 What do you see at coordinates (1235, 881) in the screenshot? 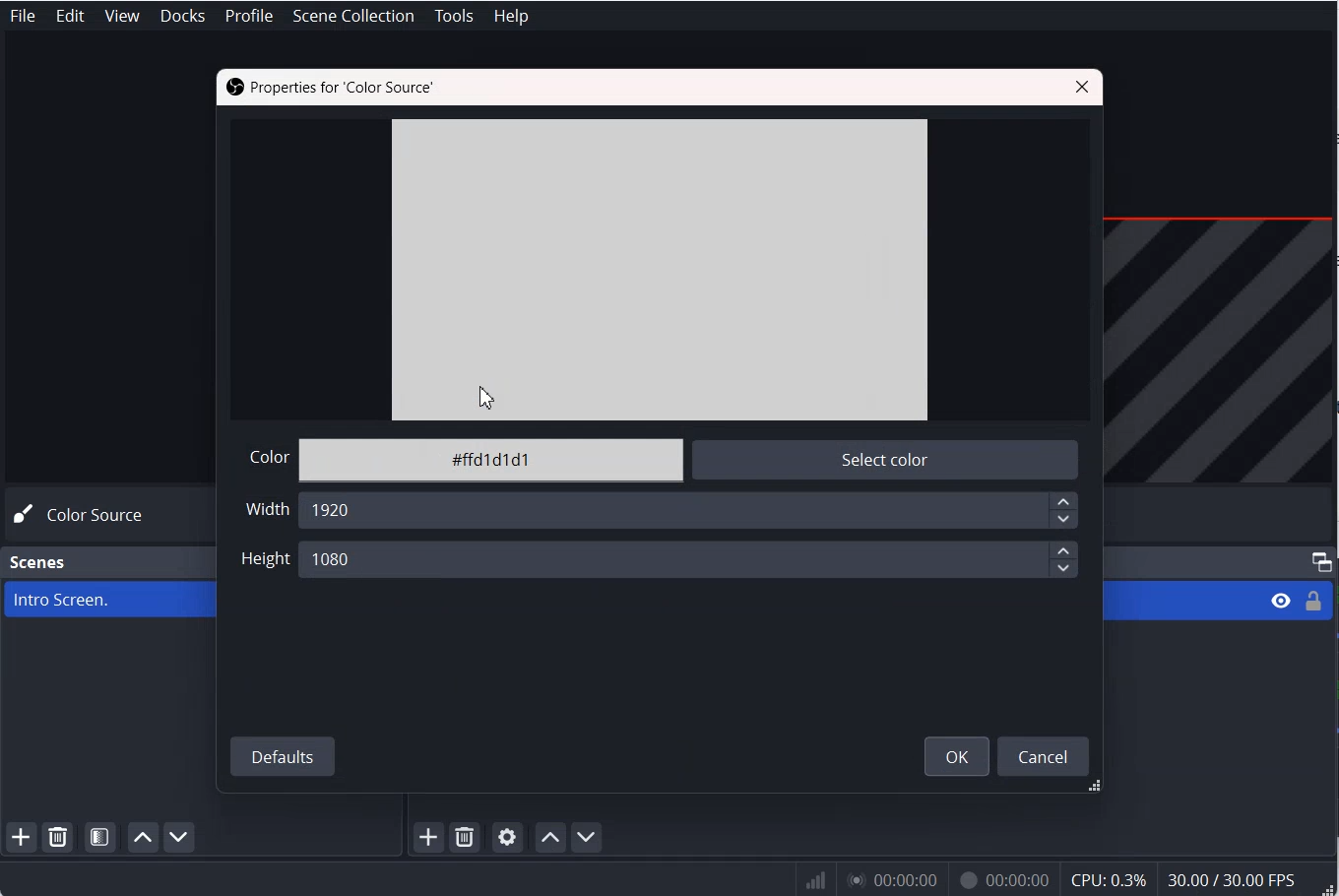
I see `30.00/ 30` at bounding box center [1235, 881].